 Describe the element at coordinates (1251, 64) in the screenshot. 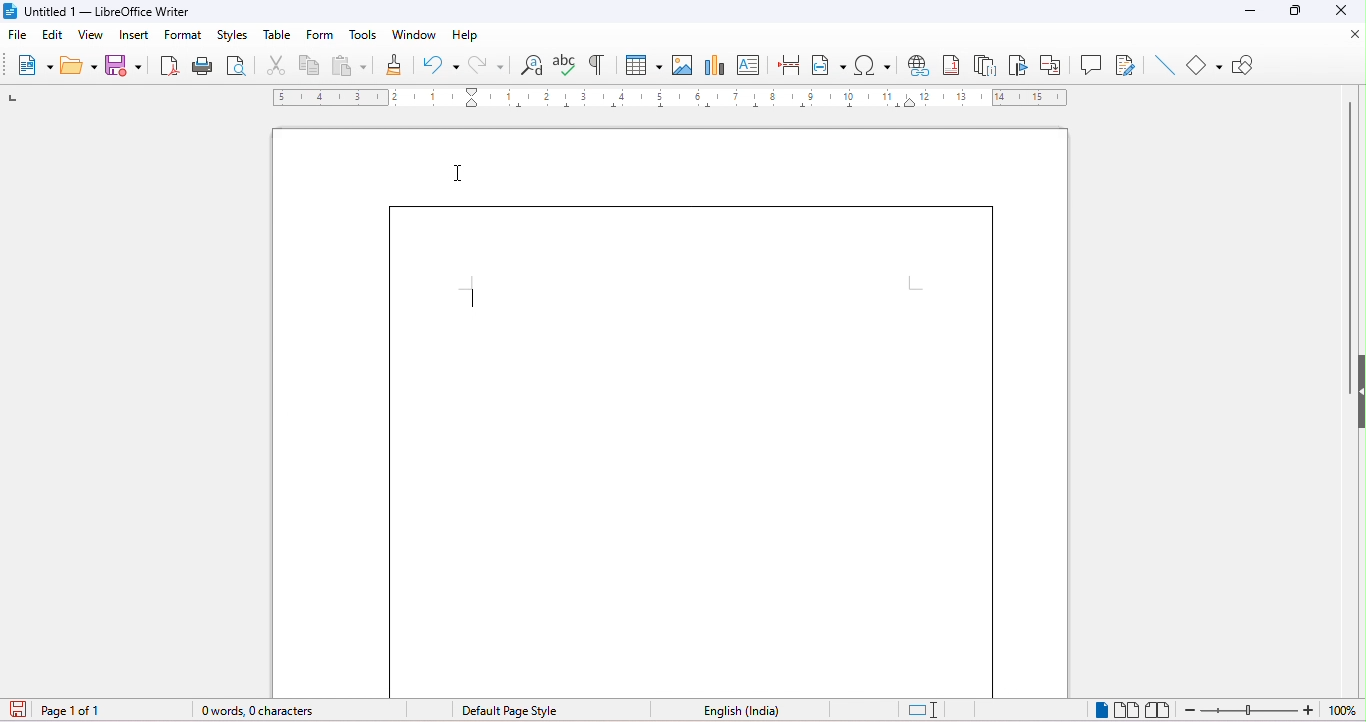

I see `show draw functions` at that location.